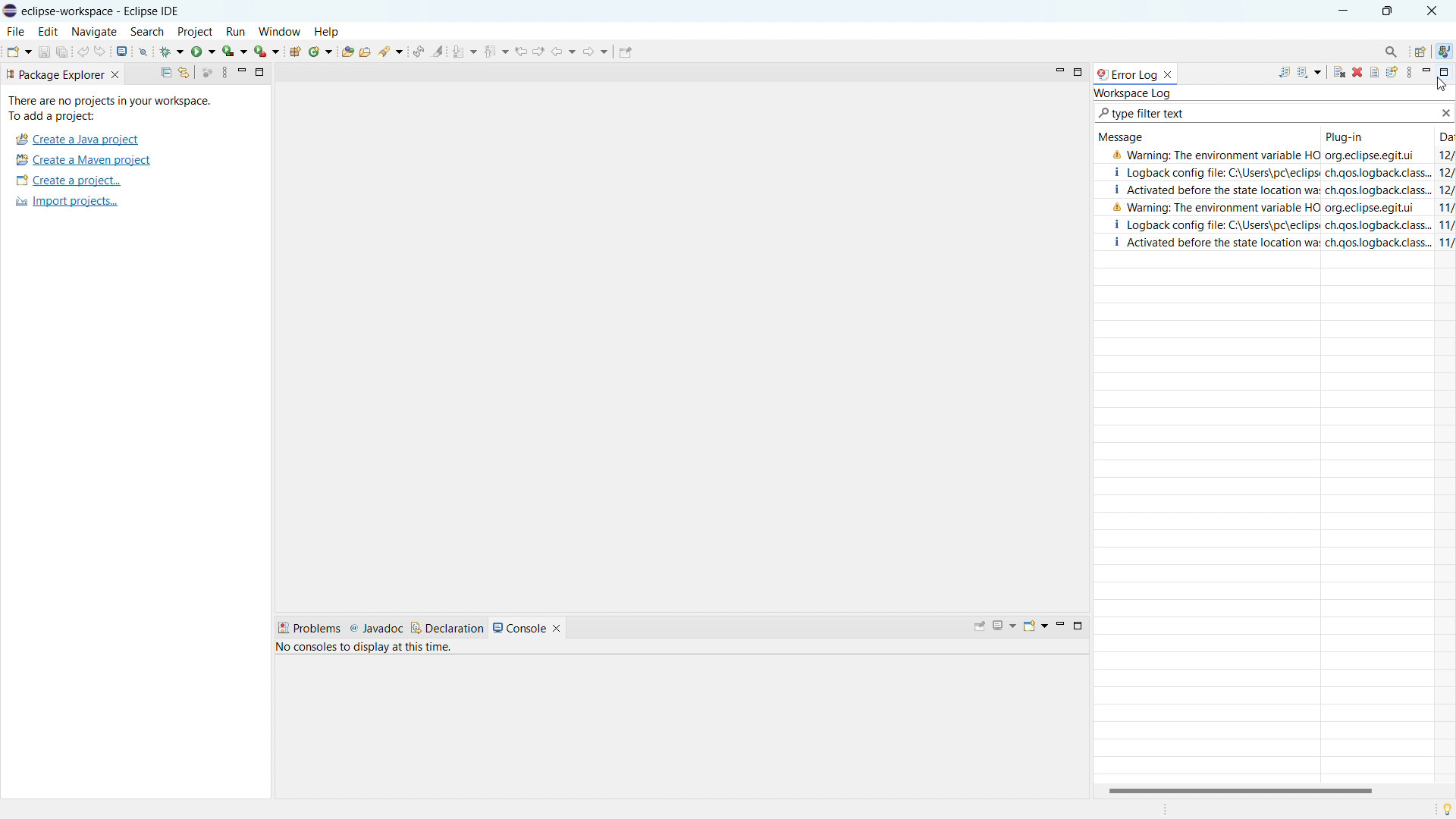  Describe the element at coordinates (1374, 73) in the screenshot. I see `open log` at that location.